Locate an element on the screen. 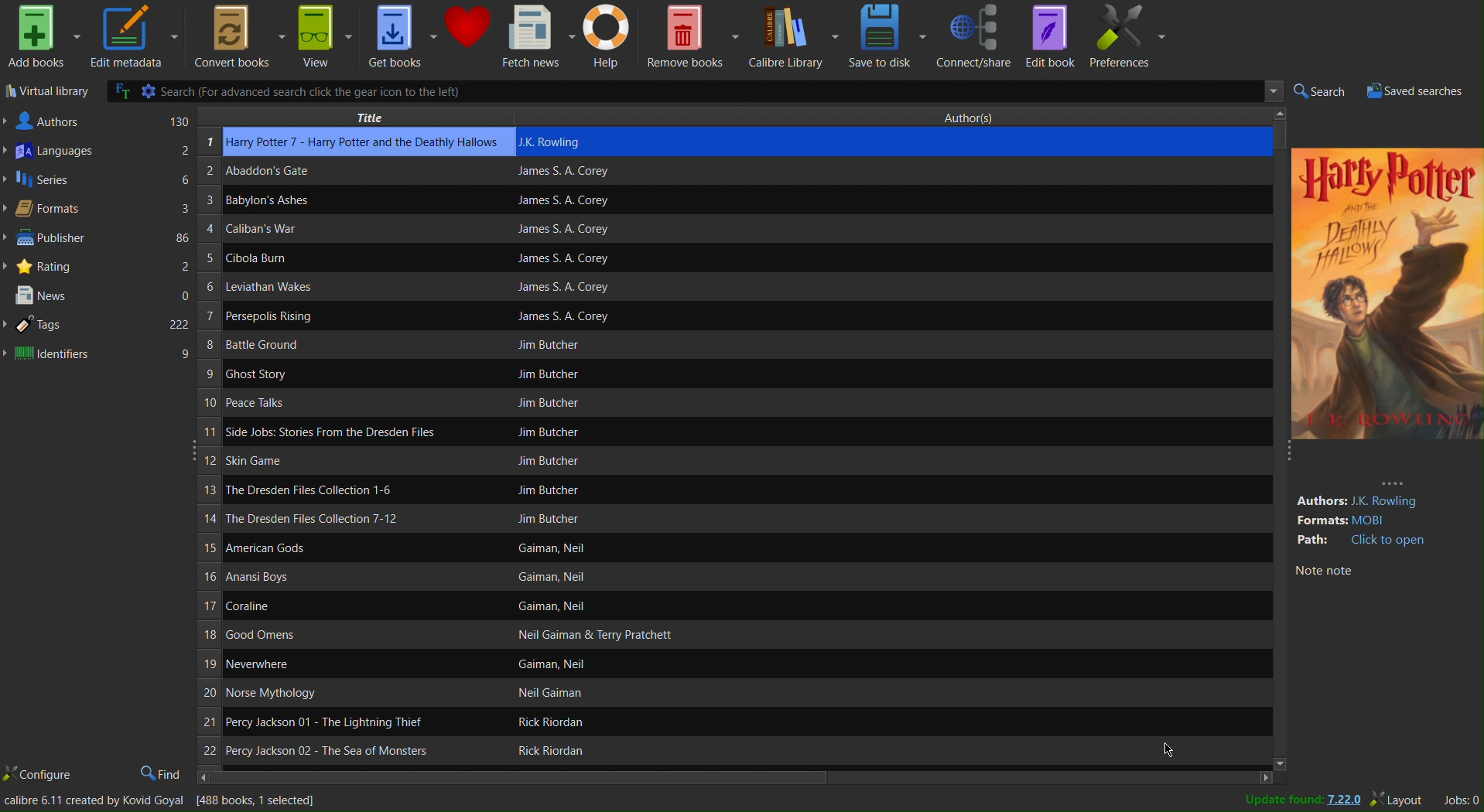 The image size is (1484, 812). Author’s name is located at coordinates (607, 694).